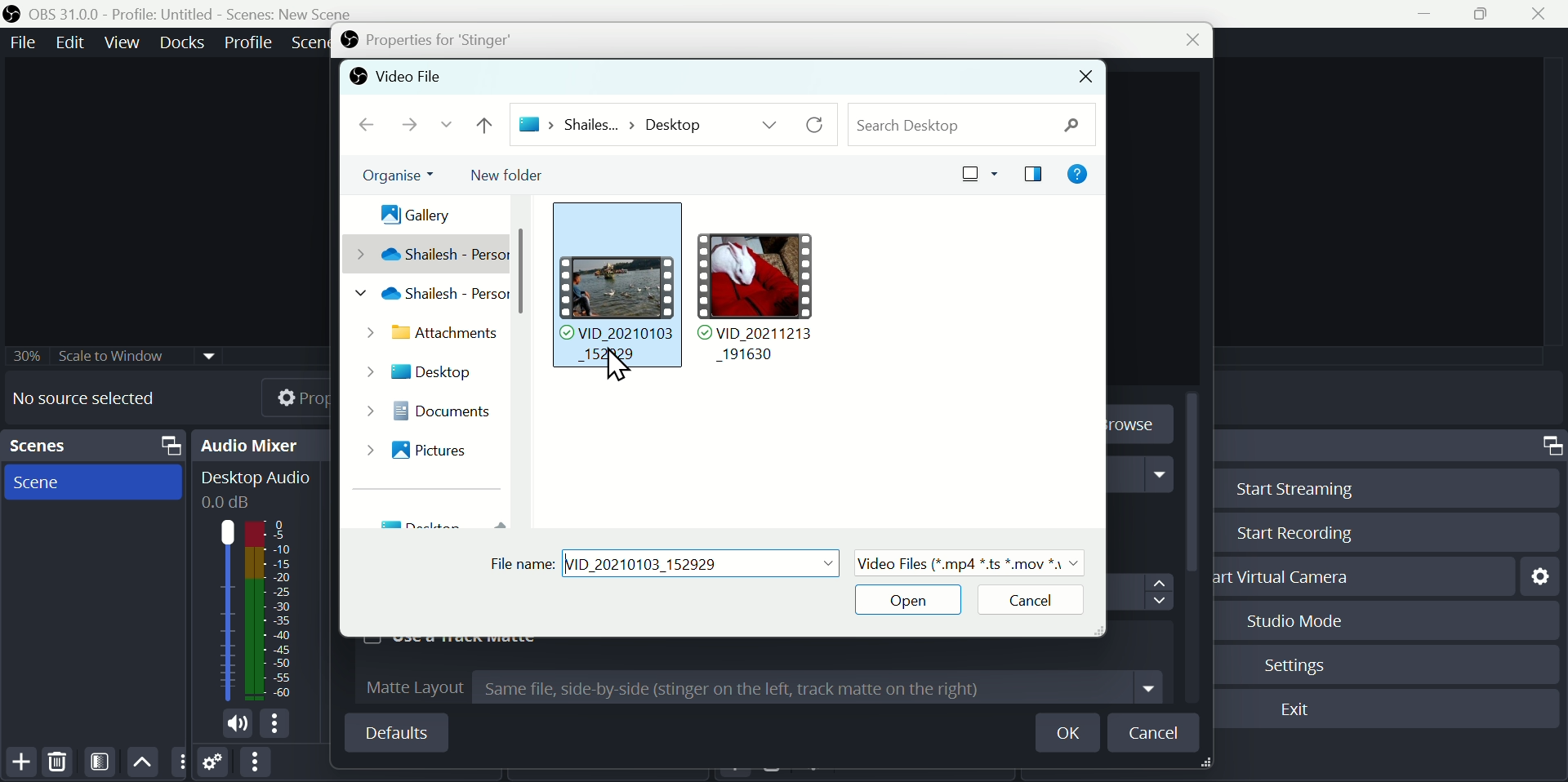 Image resolution: width=1568 pixels, height=782 pixels. What do you see at coordinates (1288, 487) in the screenshot?
I see `Start streaming` at bounding box center [1288, 487].